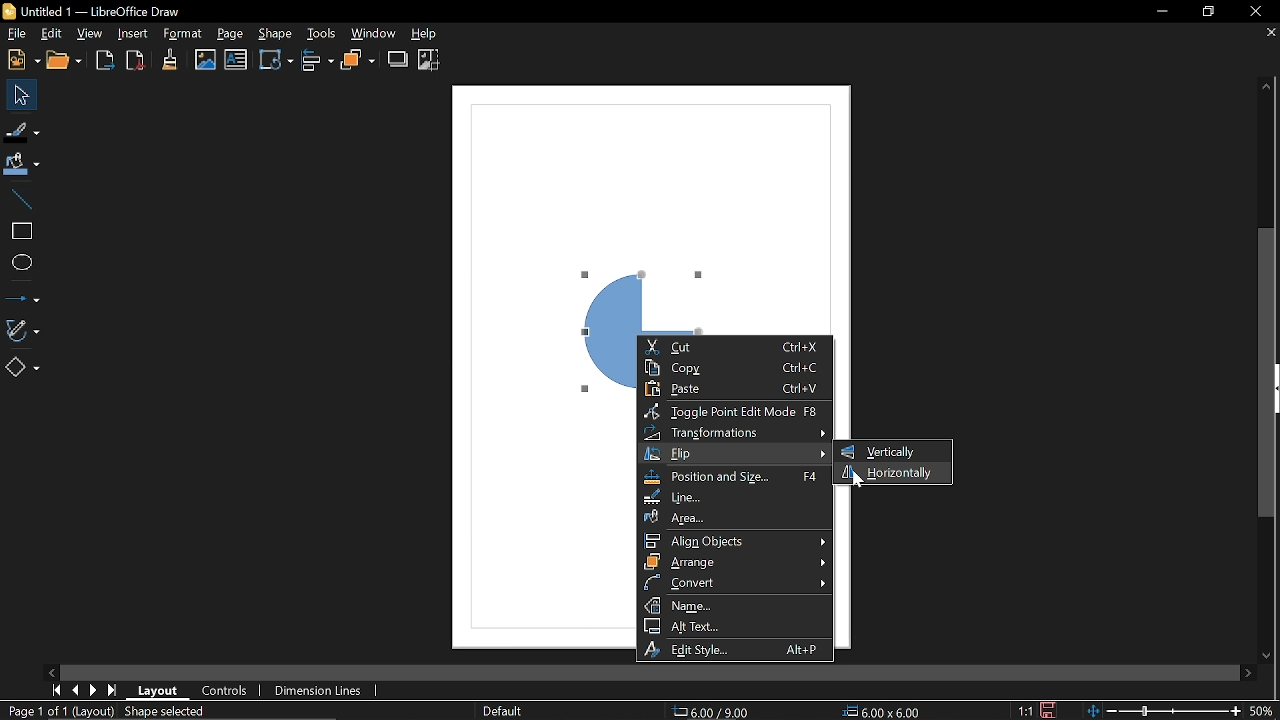  Describe the element at coordinates (160, 690) in the screenshot. I see `Layout` at that location.